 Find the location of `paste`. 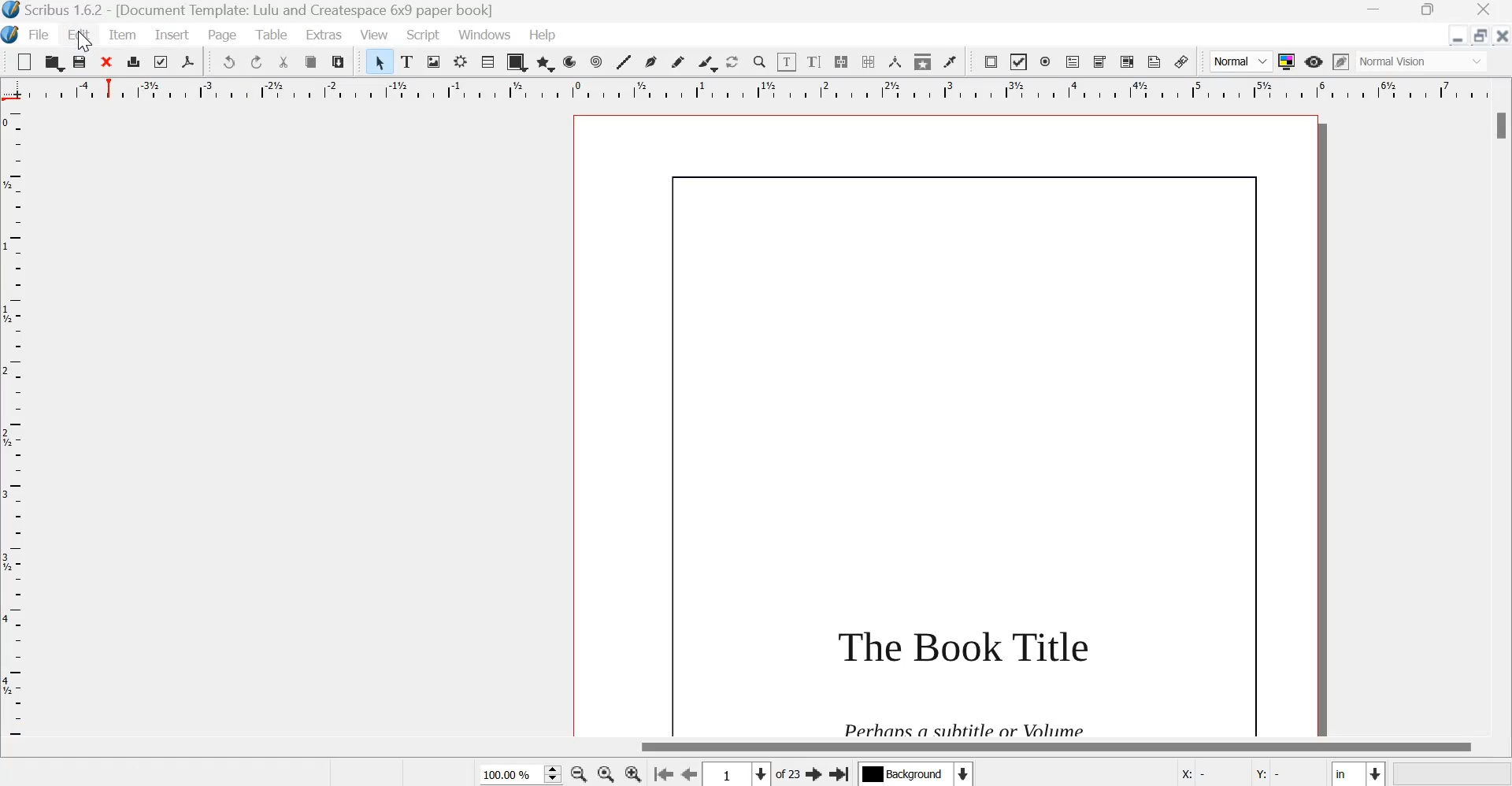

paste is located at coordinates (338, 62).